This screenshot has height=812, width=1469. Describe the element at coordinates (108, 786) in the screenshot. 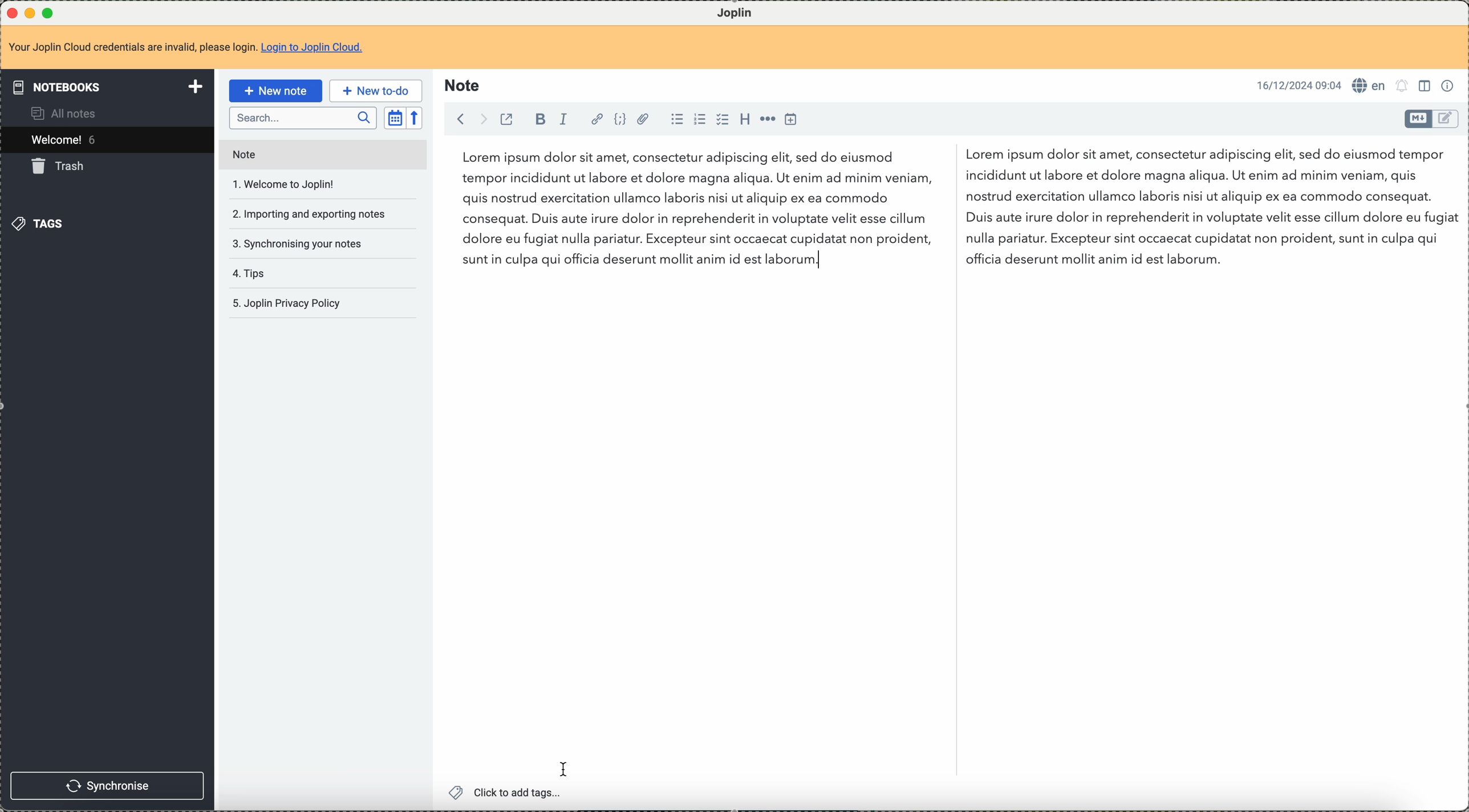

I see `synchronise` at that location.